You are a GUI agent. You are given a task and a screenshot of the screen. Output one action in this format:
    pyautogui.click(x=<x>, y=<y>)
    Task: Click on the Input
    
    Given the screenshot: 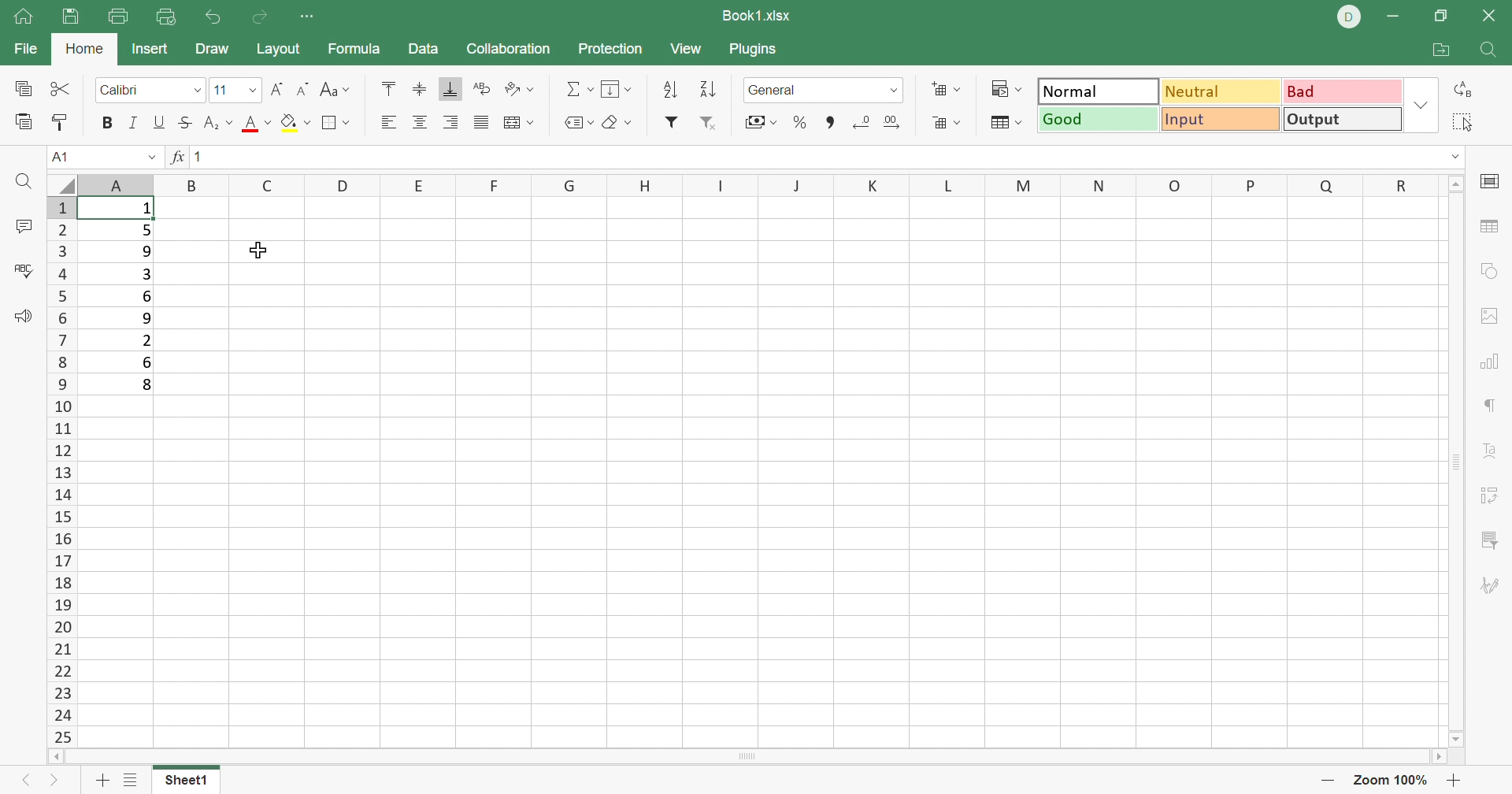 What is the action you would take?
    pyautogui.click(x=1221, y=119)
    